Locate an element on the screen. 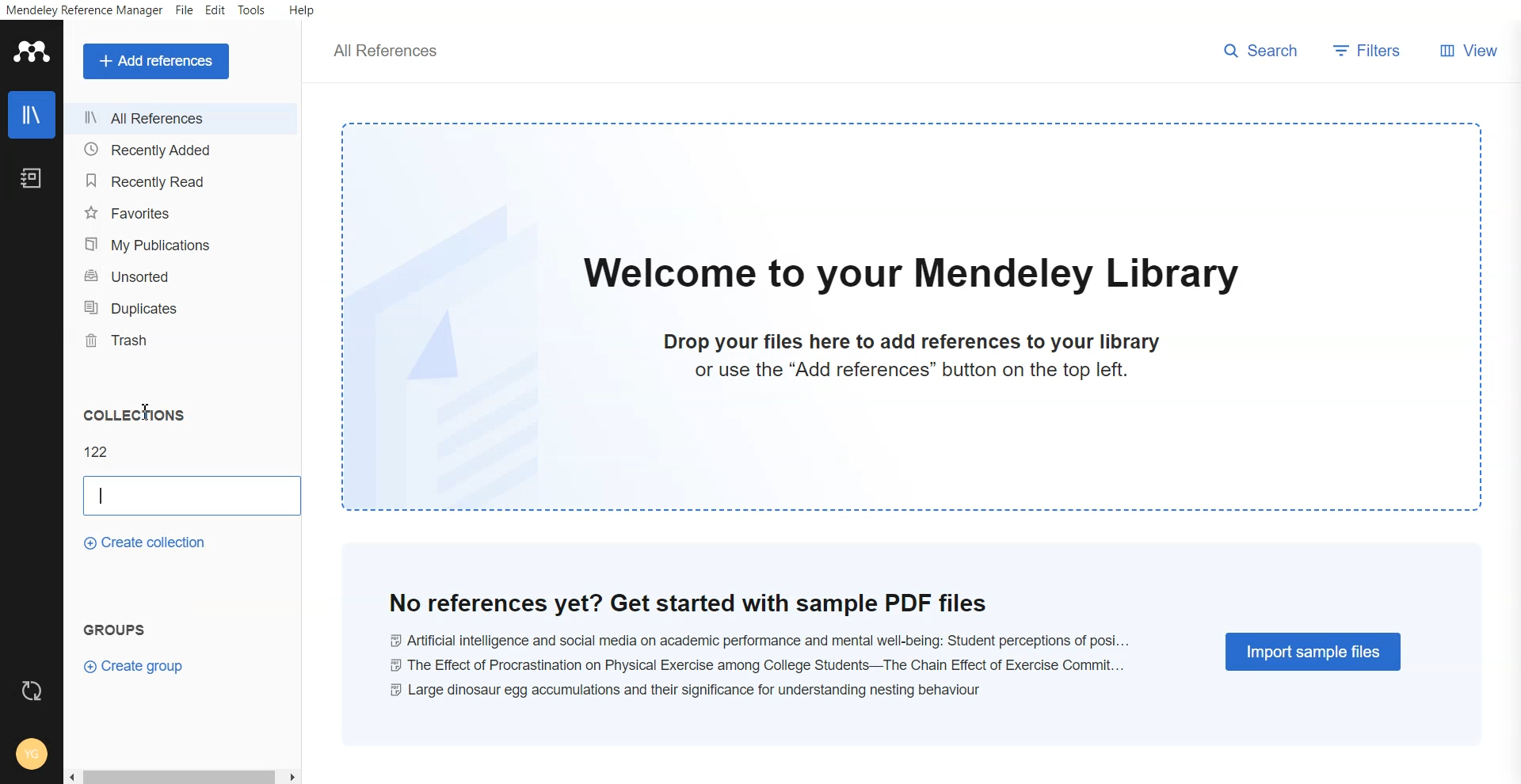 The image size is (1521, 784). or use the "Add references" button on the top left. is located at coordinates (915, 371).